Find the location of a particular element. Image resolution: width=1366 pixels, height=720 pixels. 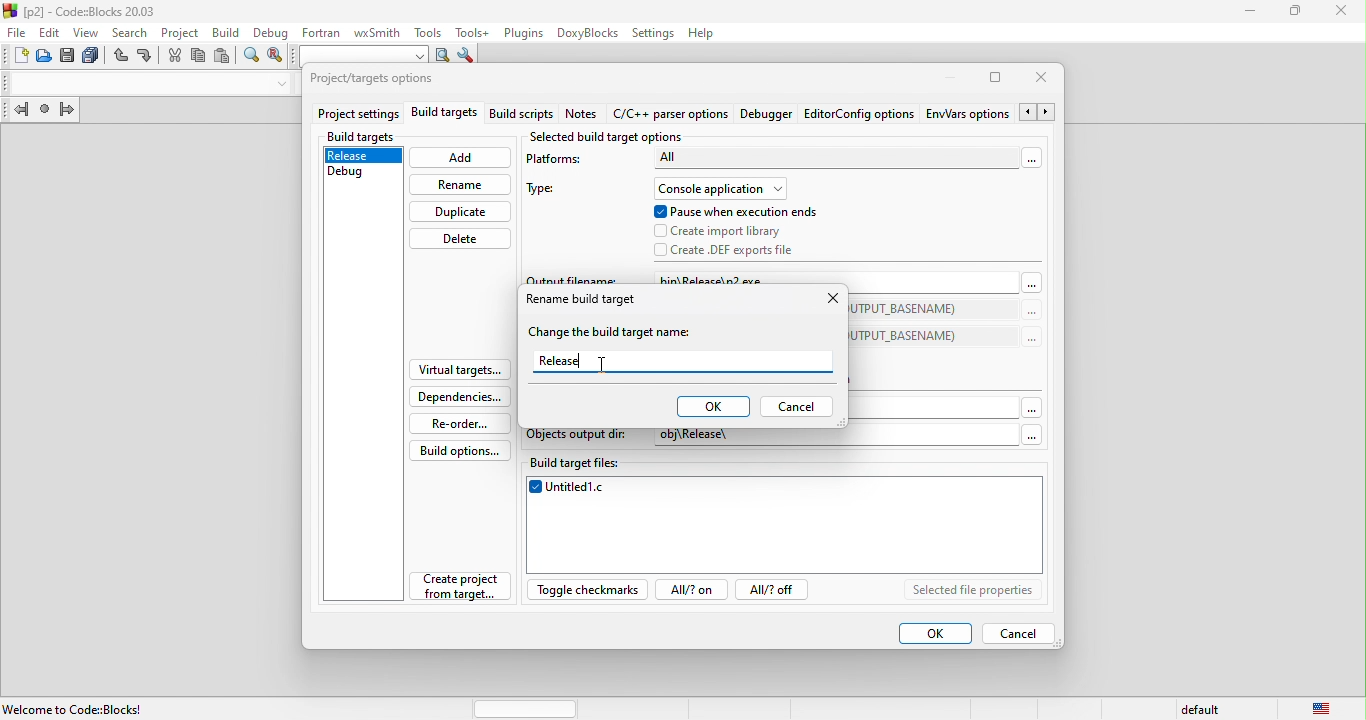

dependencies is located at coordinates (459, 397).